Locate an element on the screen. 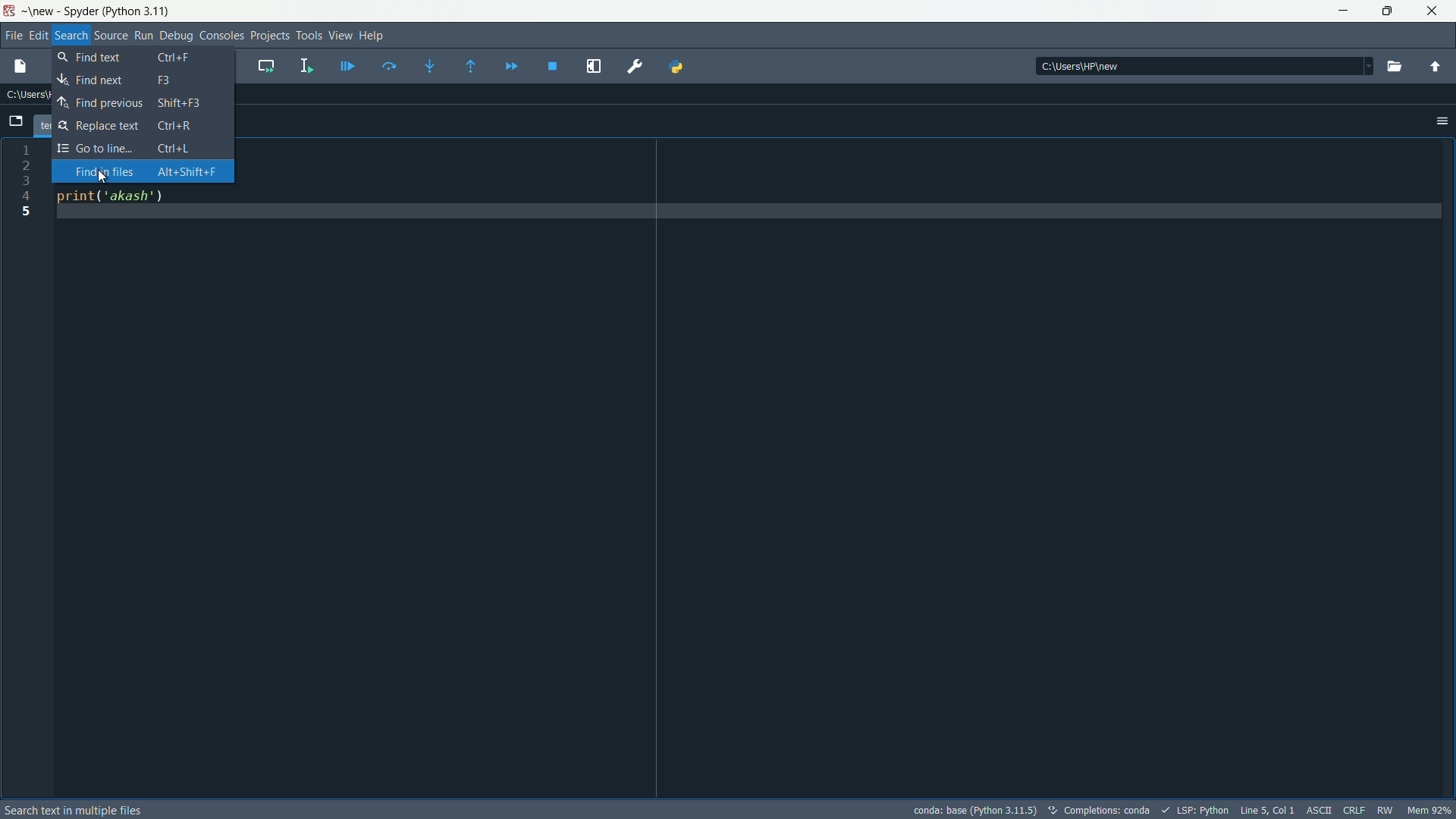 The width and height of the screenshot is (1456, 819). debug current line is located at coordinates (344, 66).